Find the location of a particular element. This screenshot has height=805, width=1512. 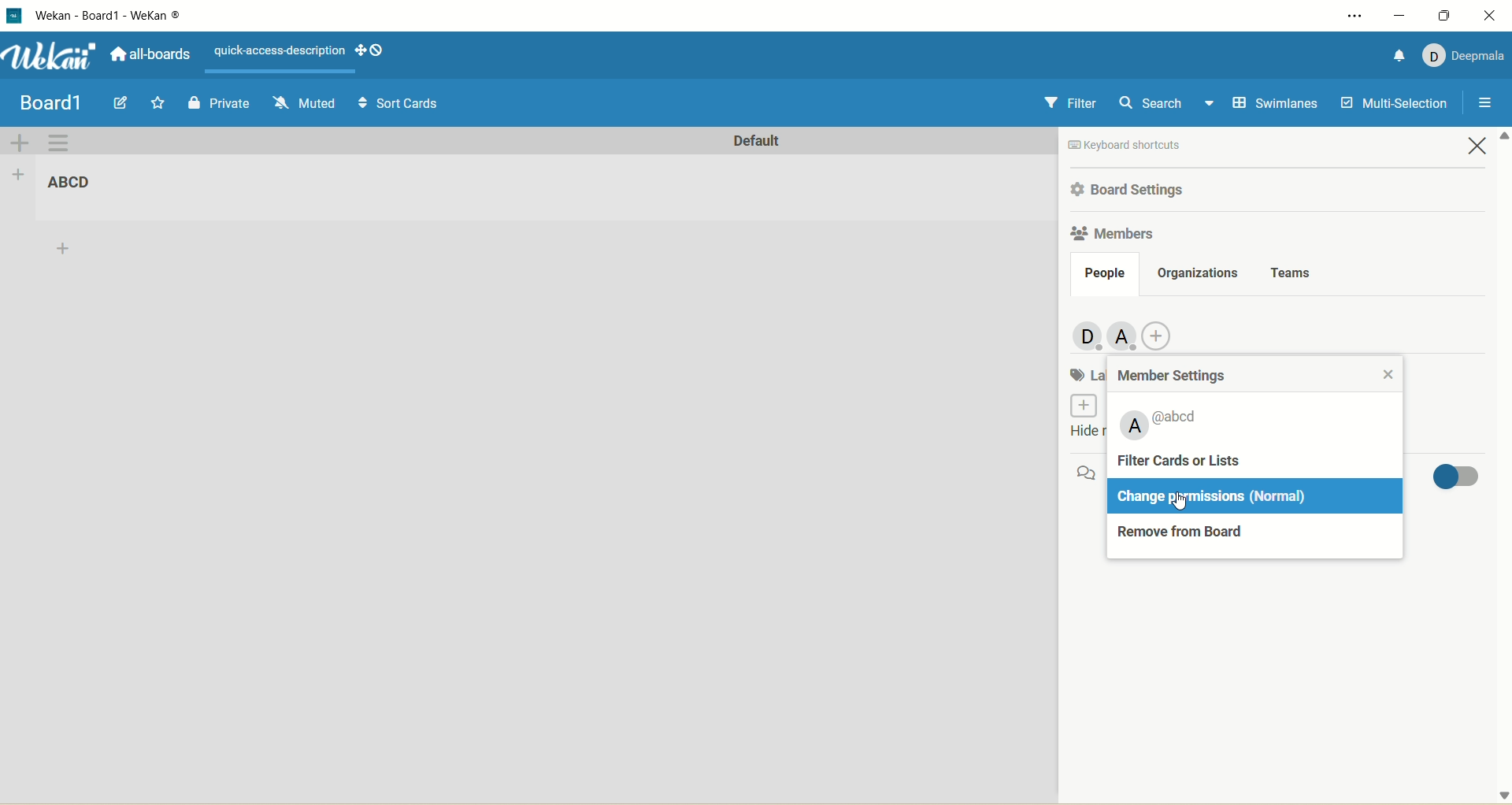

add swimlane is located at coordinates (20, 142).